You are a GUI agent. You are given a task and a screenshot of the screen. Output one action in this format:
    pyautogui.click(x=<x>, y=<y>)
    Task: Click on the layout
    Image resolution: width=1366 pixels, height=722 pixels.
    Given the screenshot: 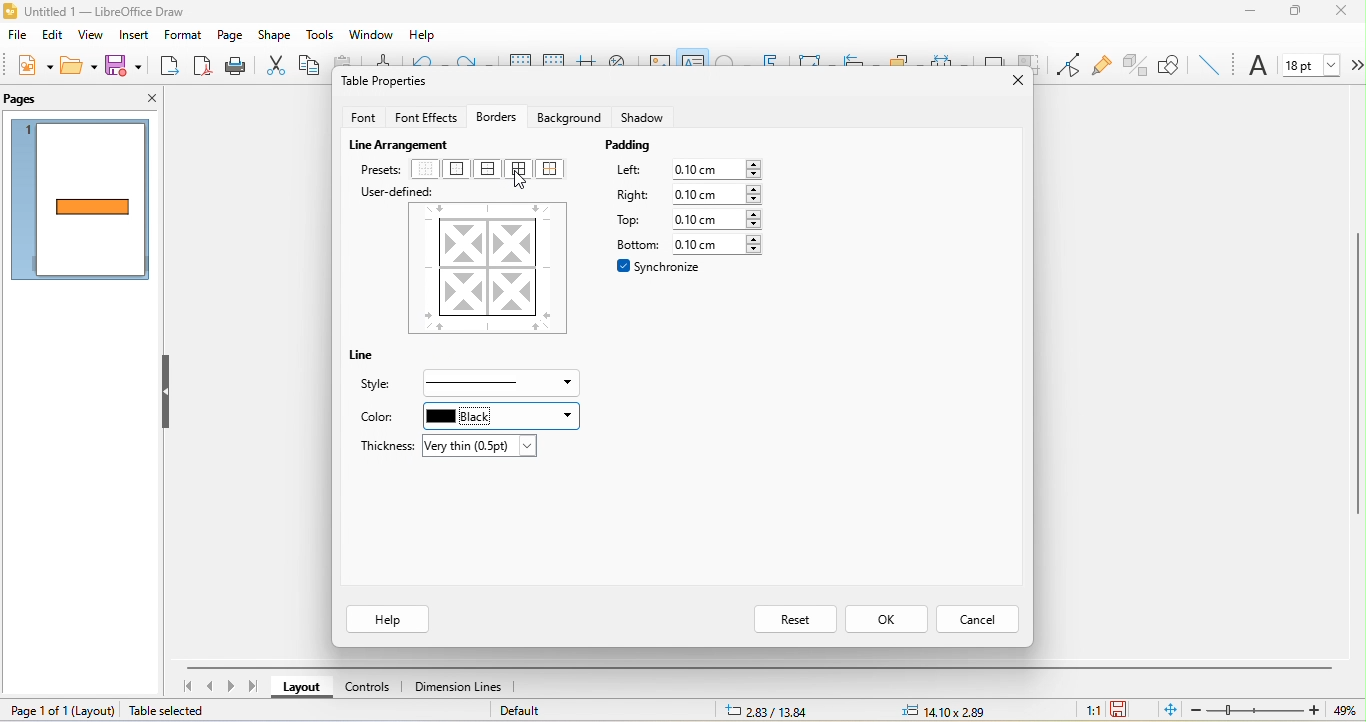 What is the action you would take?
    pyautogui.click(x=92, y=712)
    